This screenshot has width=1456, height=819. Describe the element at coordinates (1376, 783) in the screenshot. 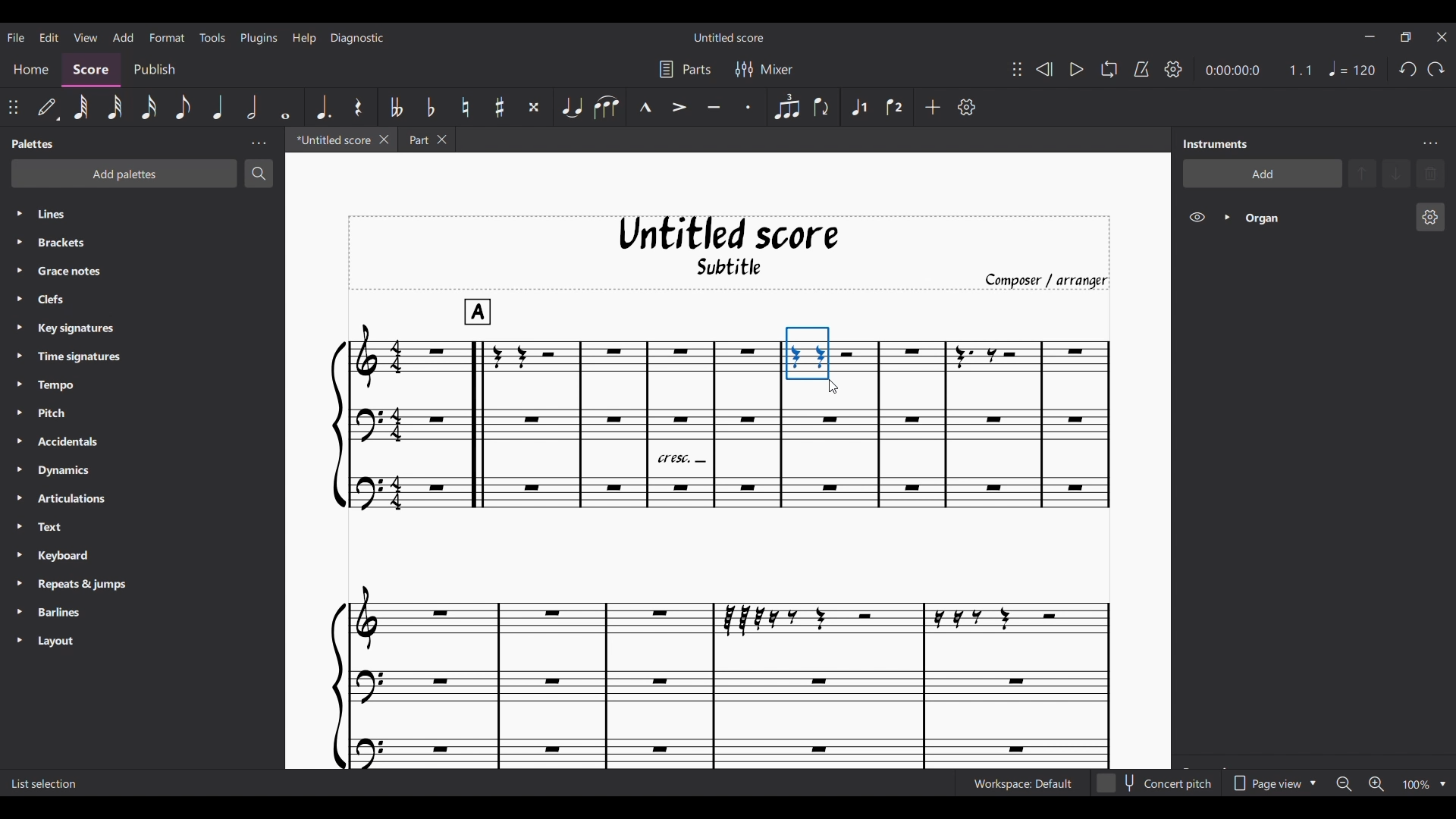

I see `Zoom in` at that location.